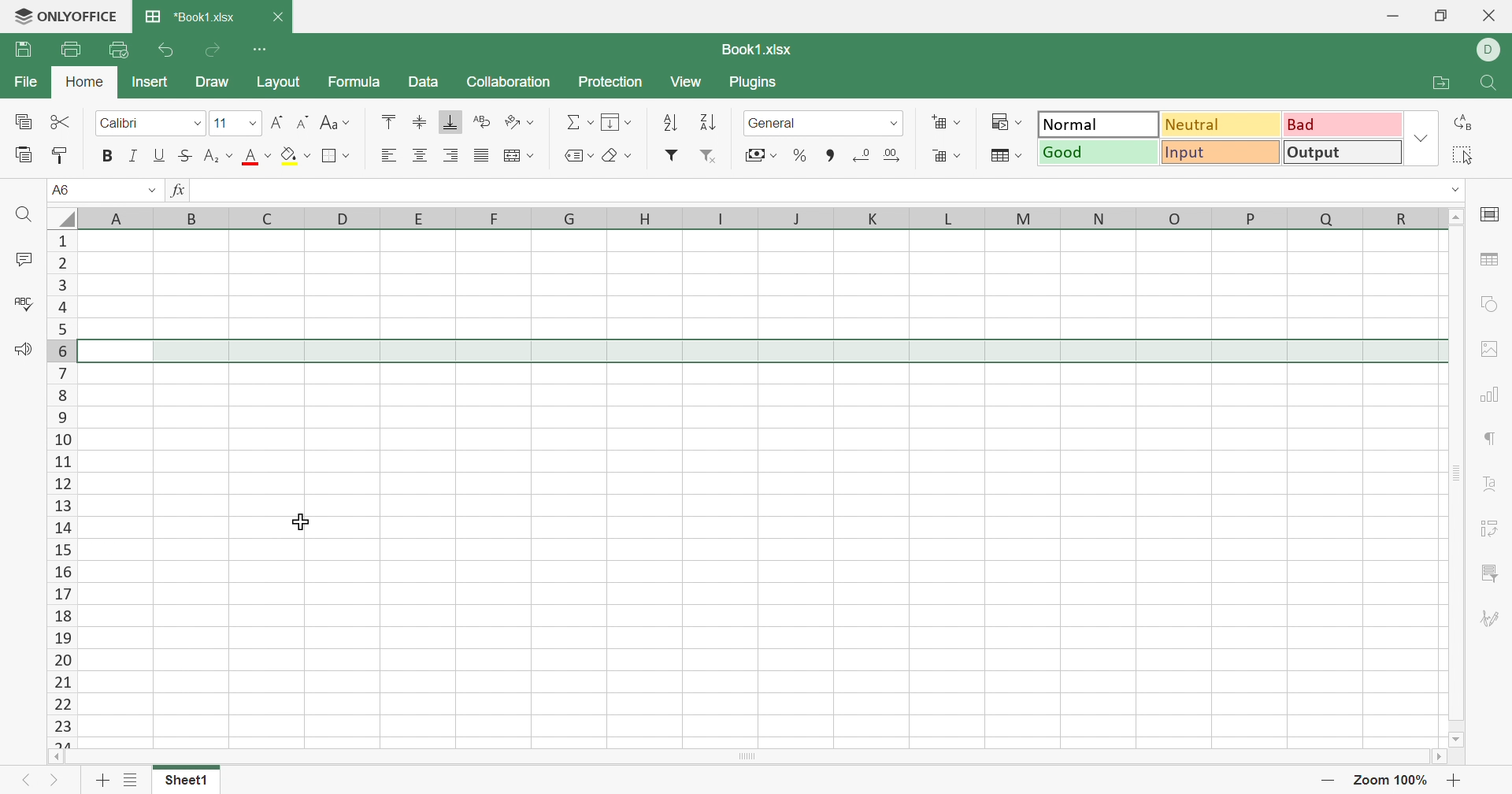 The image size is (1512, 794). Describe the element at coordinates (710, 121) in the screenshot. I see `Descending order` at that location.